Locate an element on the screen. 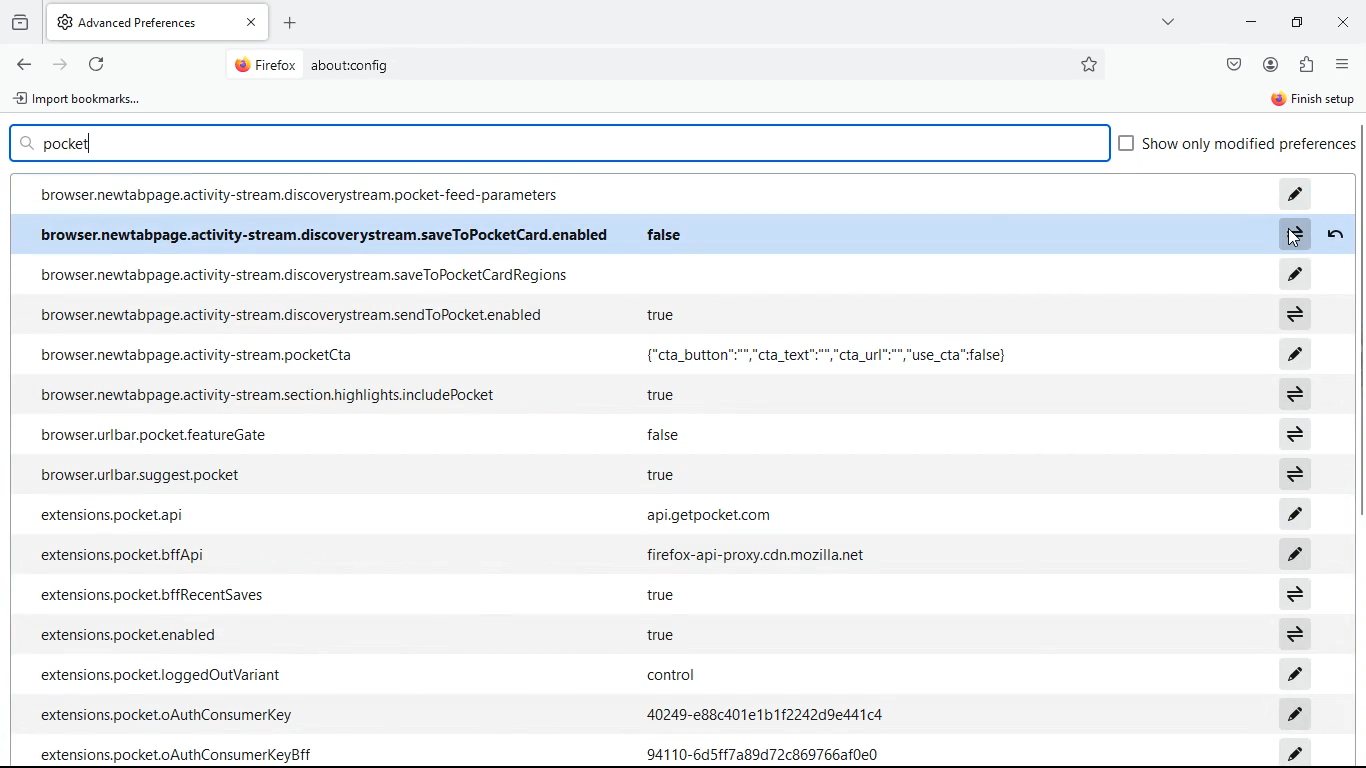 Image resolution: width=1366 pixels, height=768 pixels. extensions.pocket.loggedOutVariant is located at coordinates (157, 674).